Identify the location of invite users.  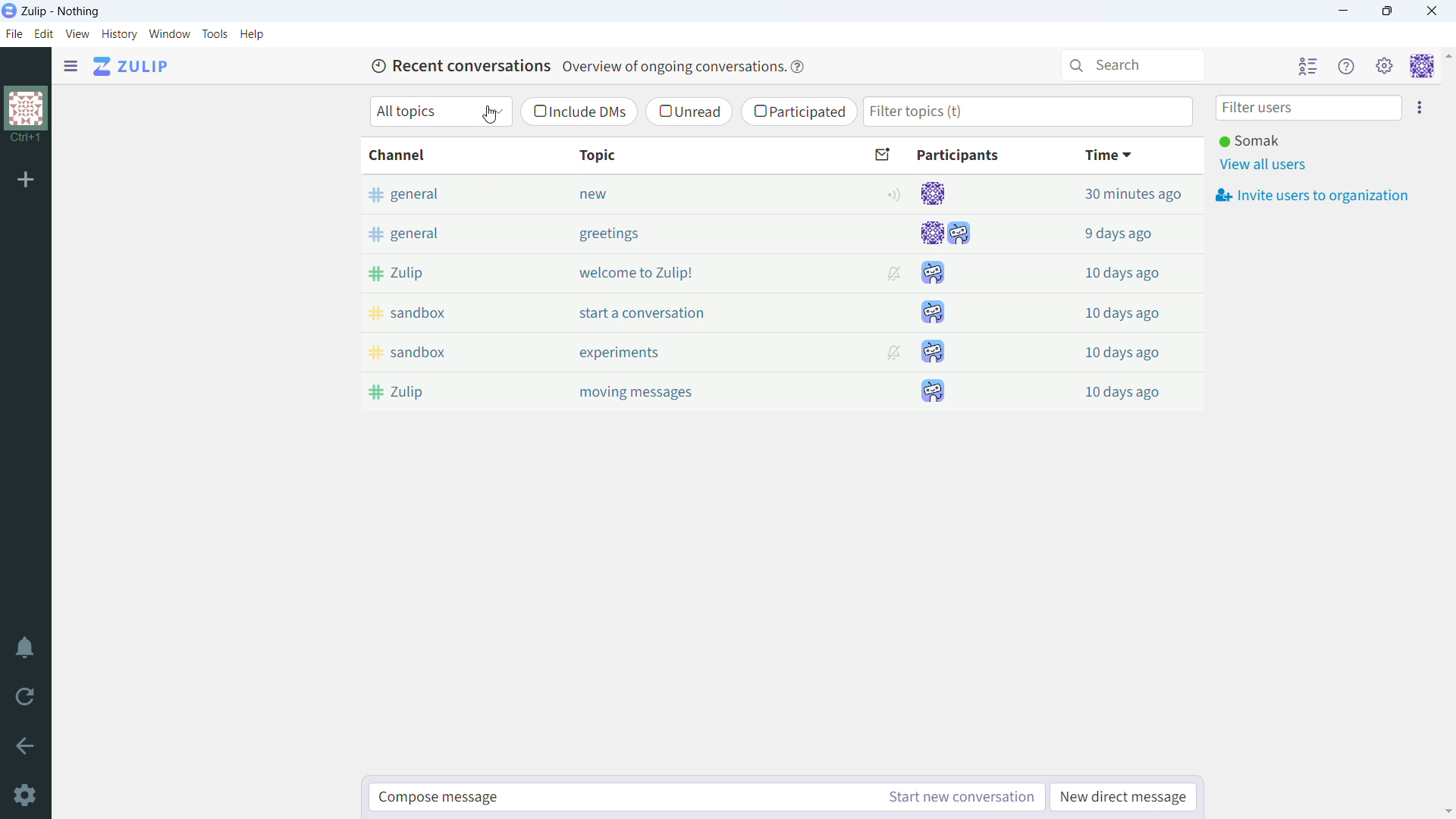
(1312, 194).